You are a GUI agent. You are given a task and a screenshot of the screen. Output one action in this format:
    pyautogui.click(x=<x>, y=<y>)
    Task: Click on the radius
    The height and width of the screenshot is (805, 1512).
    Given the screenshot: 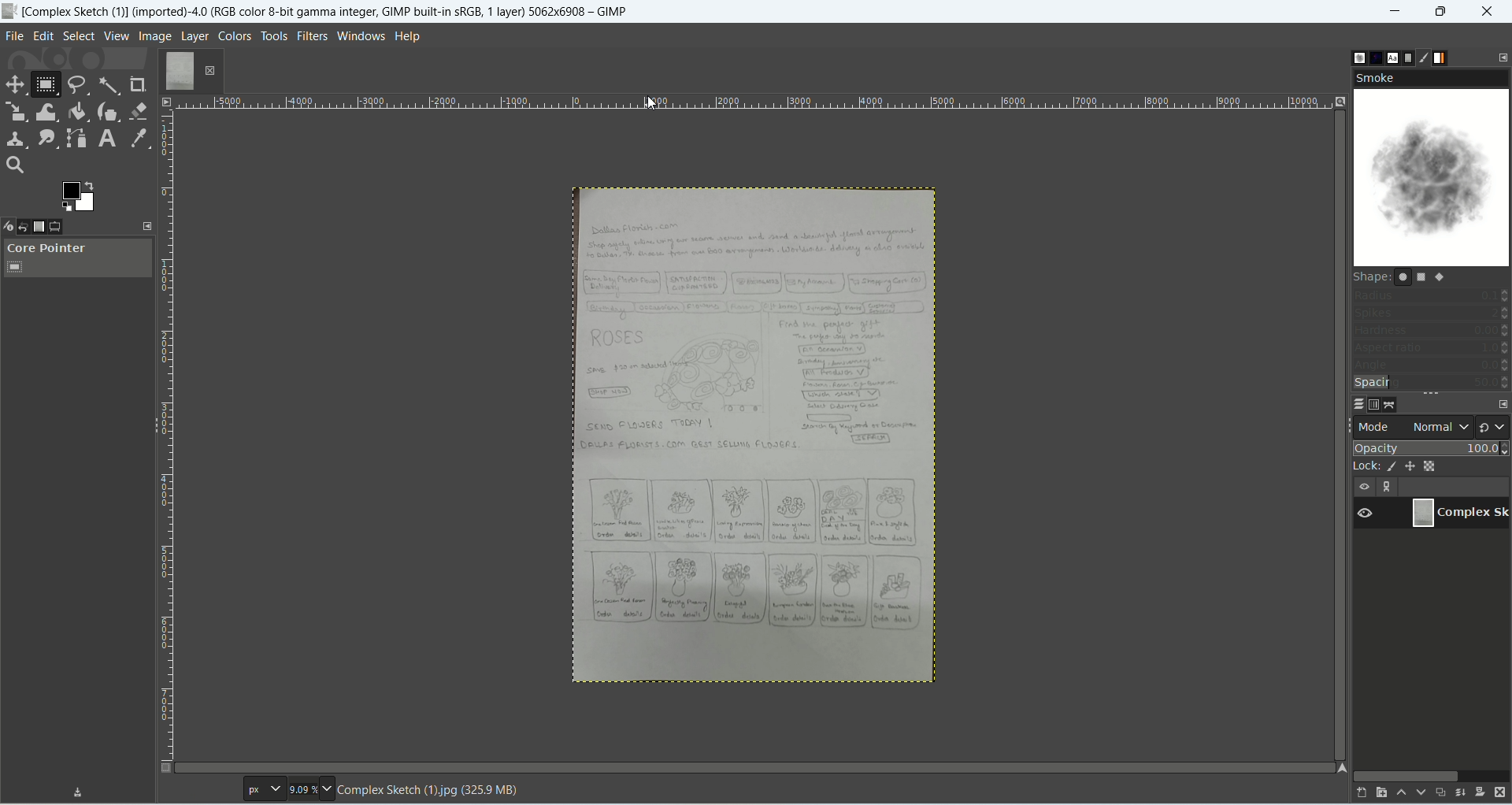 What is the action you would take?
    pyautogui.click(x=1432, y=295)
    